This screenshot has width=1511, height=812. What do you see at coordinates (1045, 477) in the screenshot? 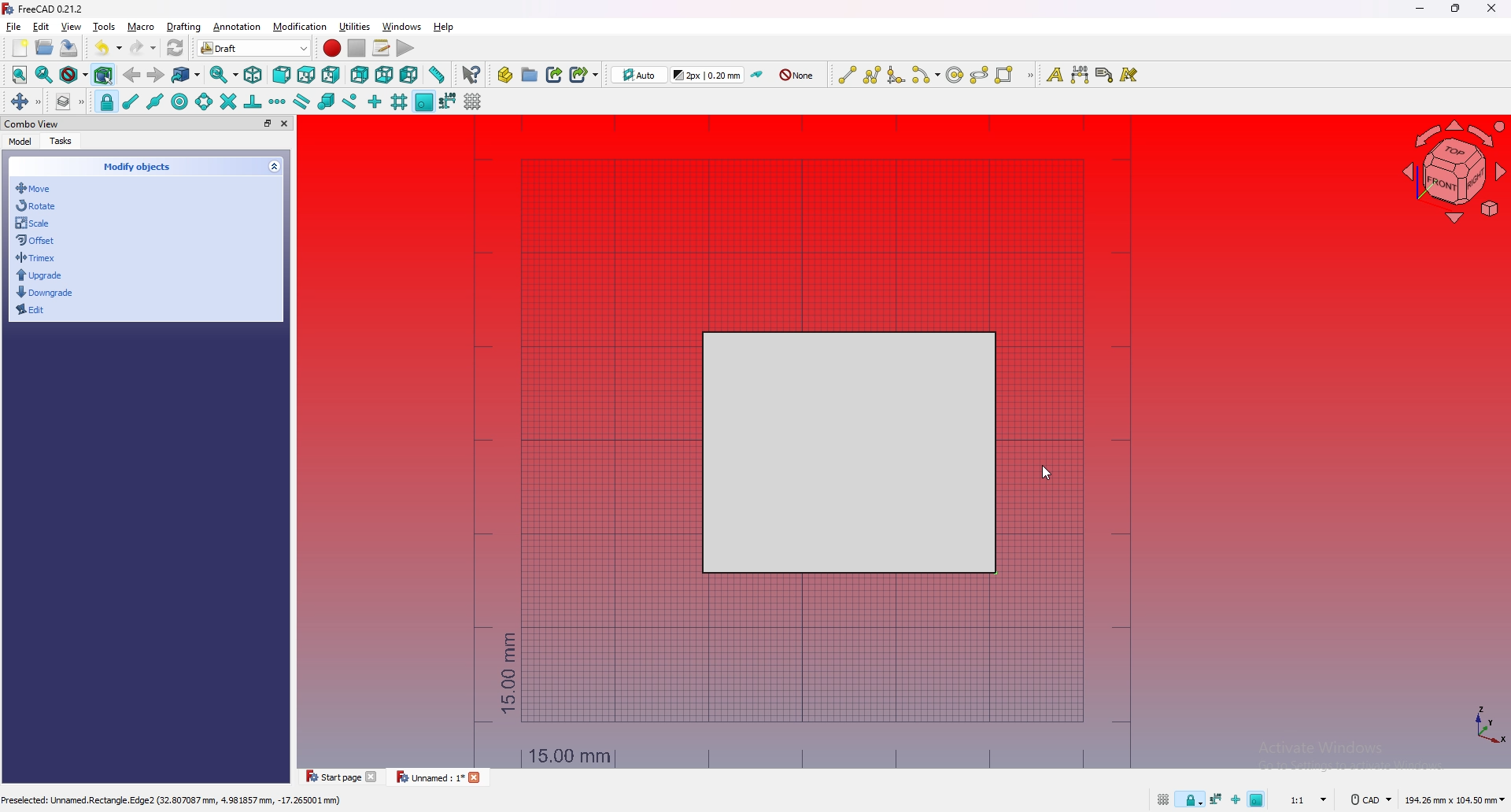
I see `cursor` at bounding box center [1045, 477].